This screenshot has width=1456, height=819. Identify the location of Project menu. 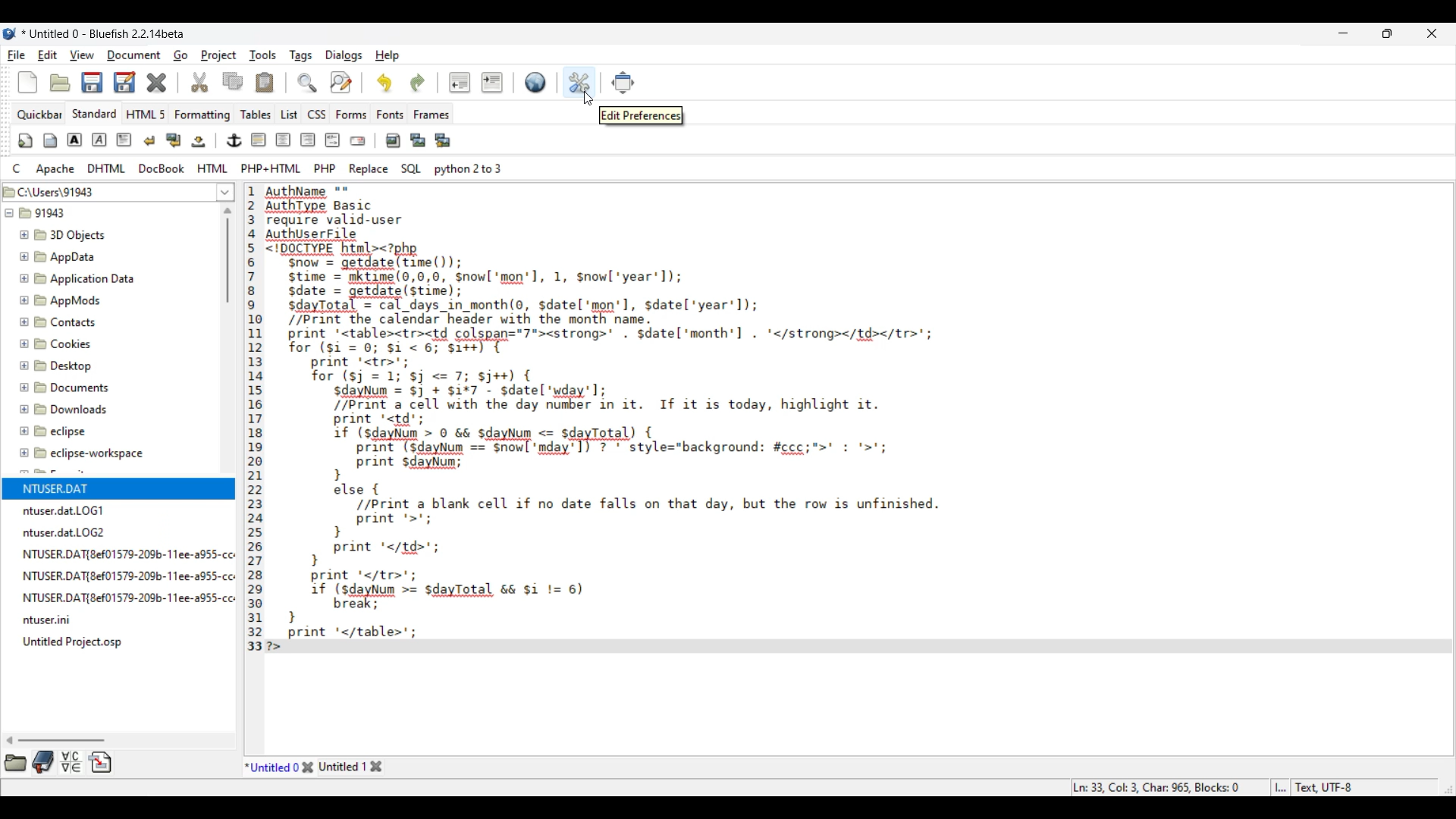
(218, 55).